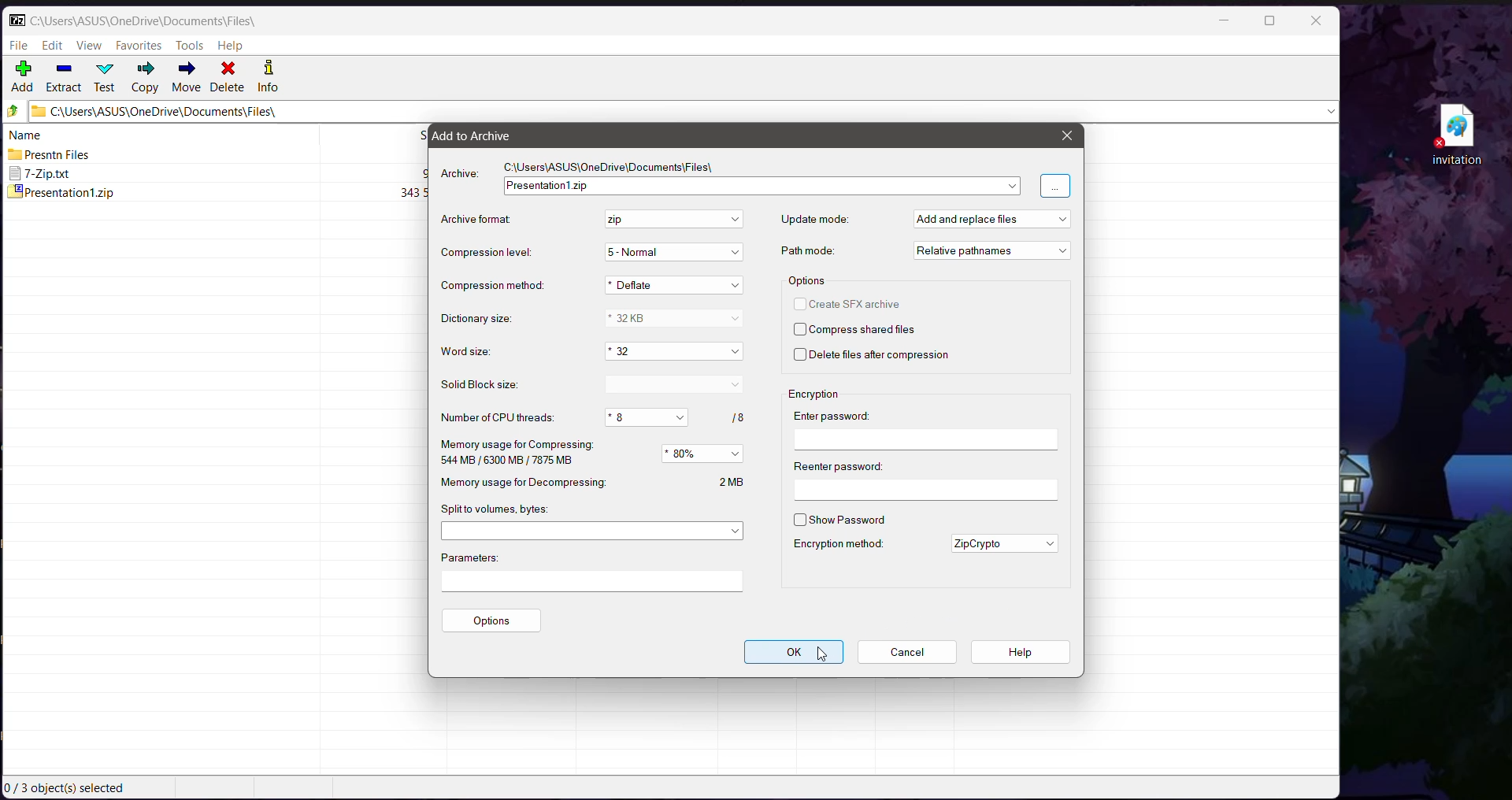 The width and height of the screenshot is (1512, 800). Describe the element at coordinates (1269, 22) in the screenshot. I see `Maximize` at that location.